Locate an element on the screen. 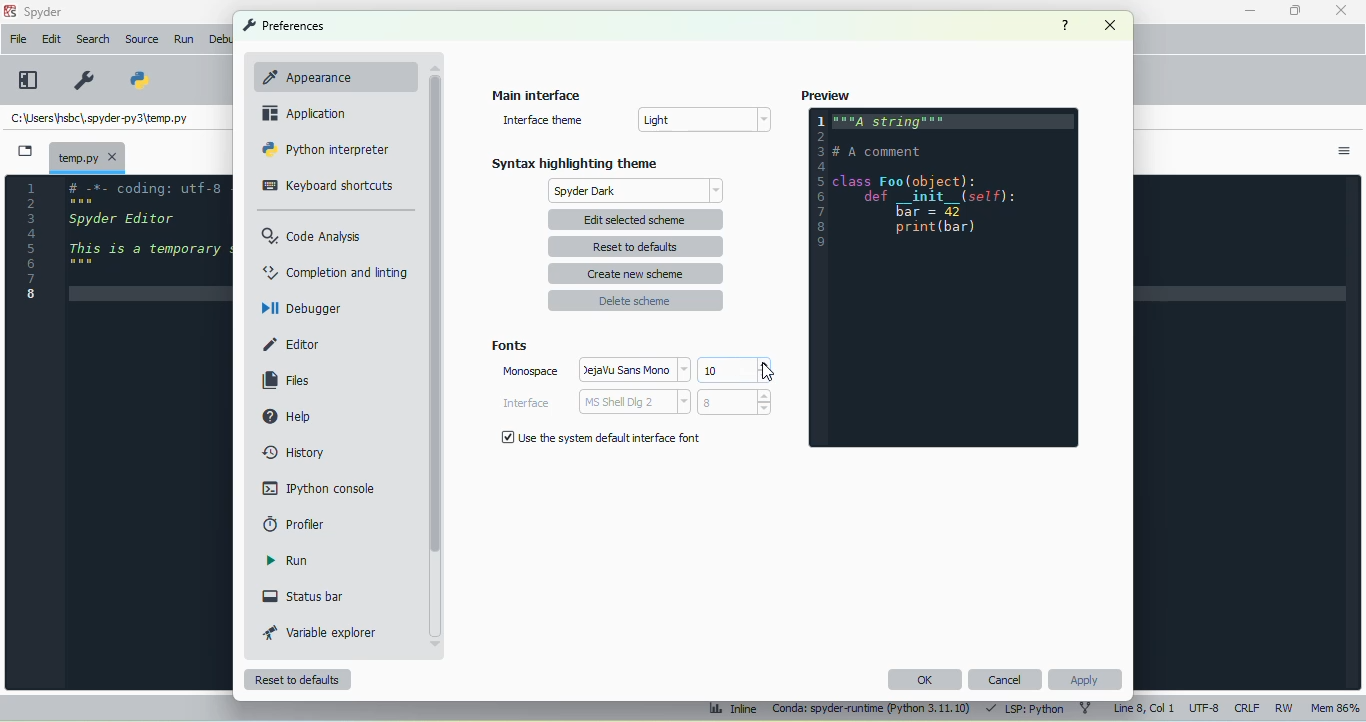  use the system default interface font is located at coordinates (600, 437).